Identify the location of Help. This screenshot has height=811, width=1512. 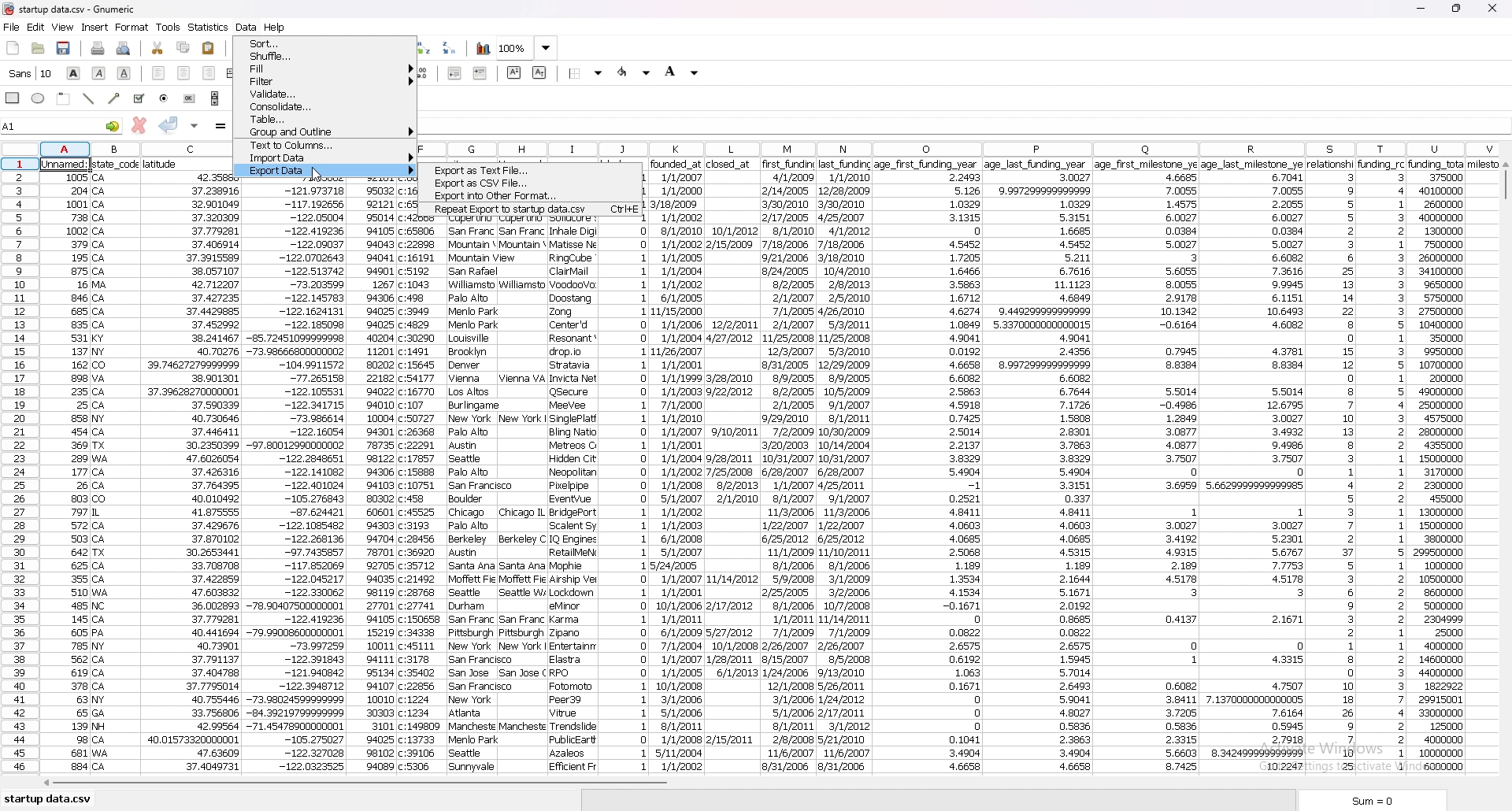
(283, 25).